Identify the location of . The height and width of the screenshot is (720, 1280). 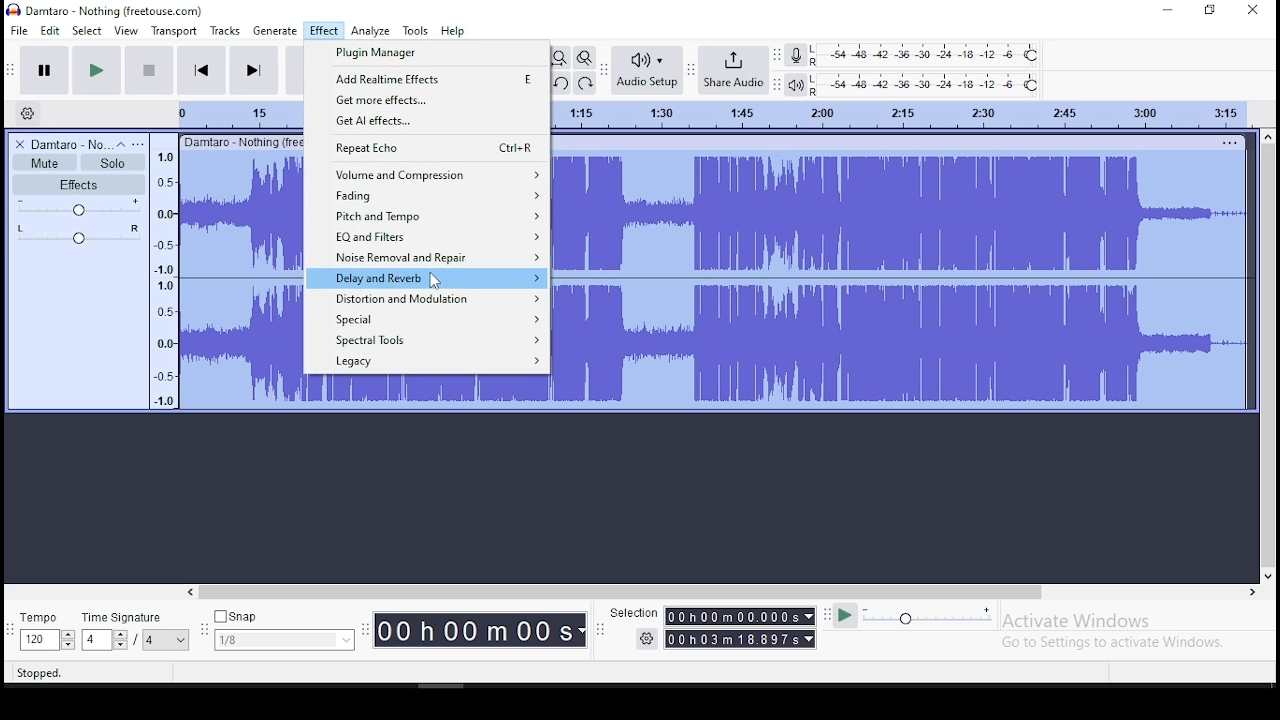
(600, 630).